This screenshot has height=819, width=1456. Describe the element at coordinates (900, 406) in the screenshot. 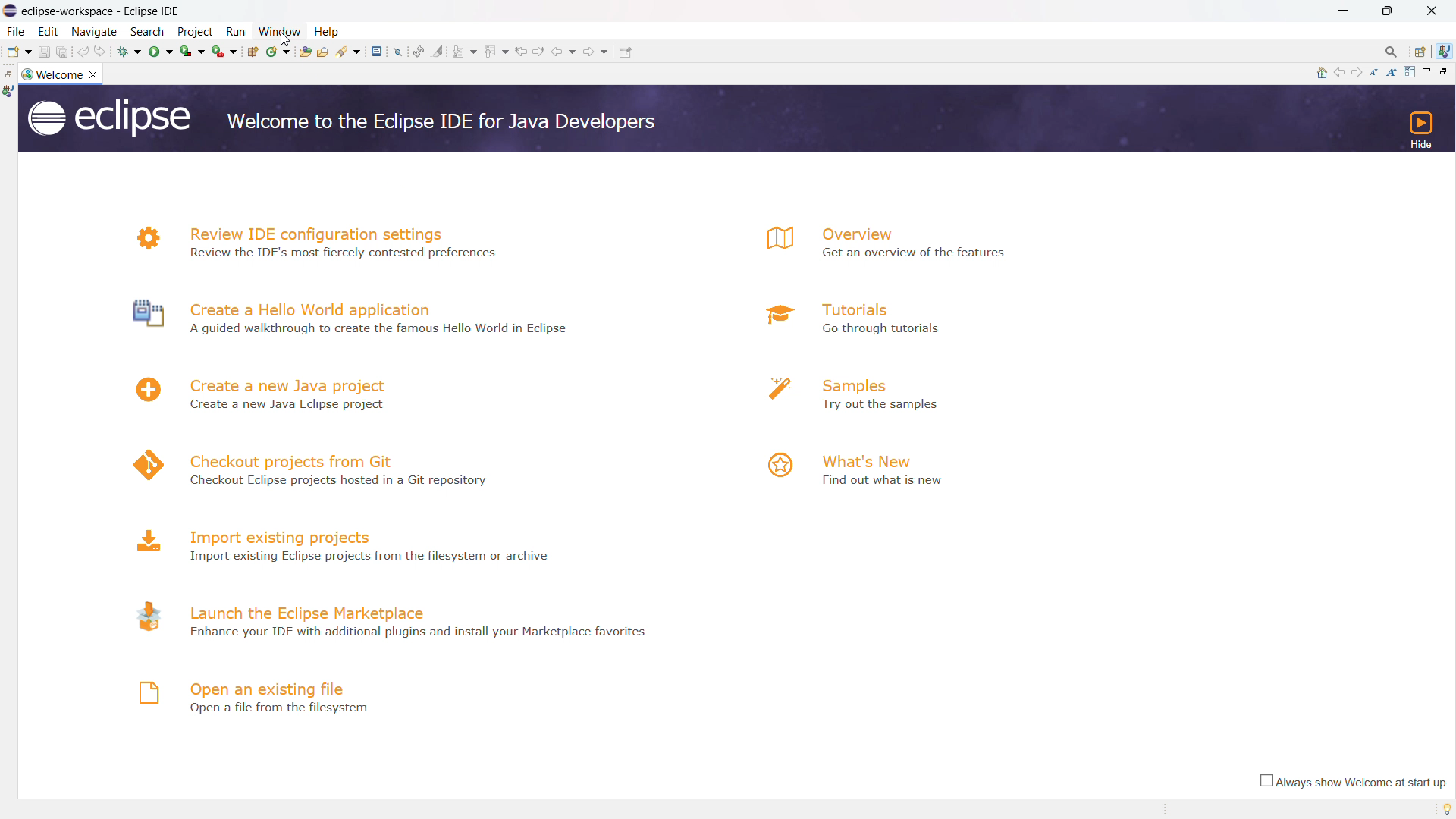

I see `Try out the samples` at that location.